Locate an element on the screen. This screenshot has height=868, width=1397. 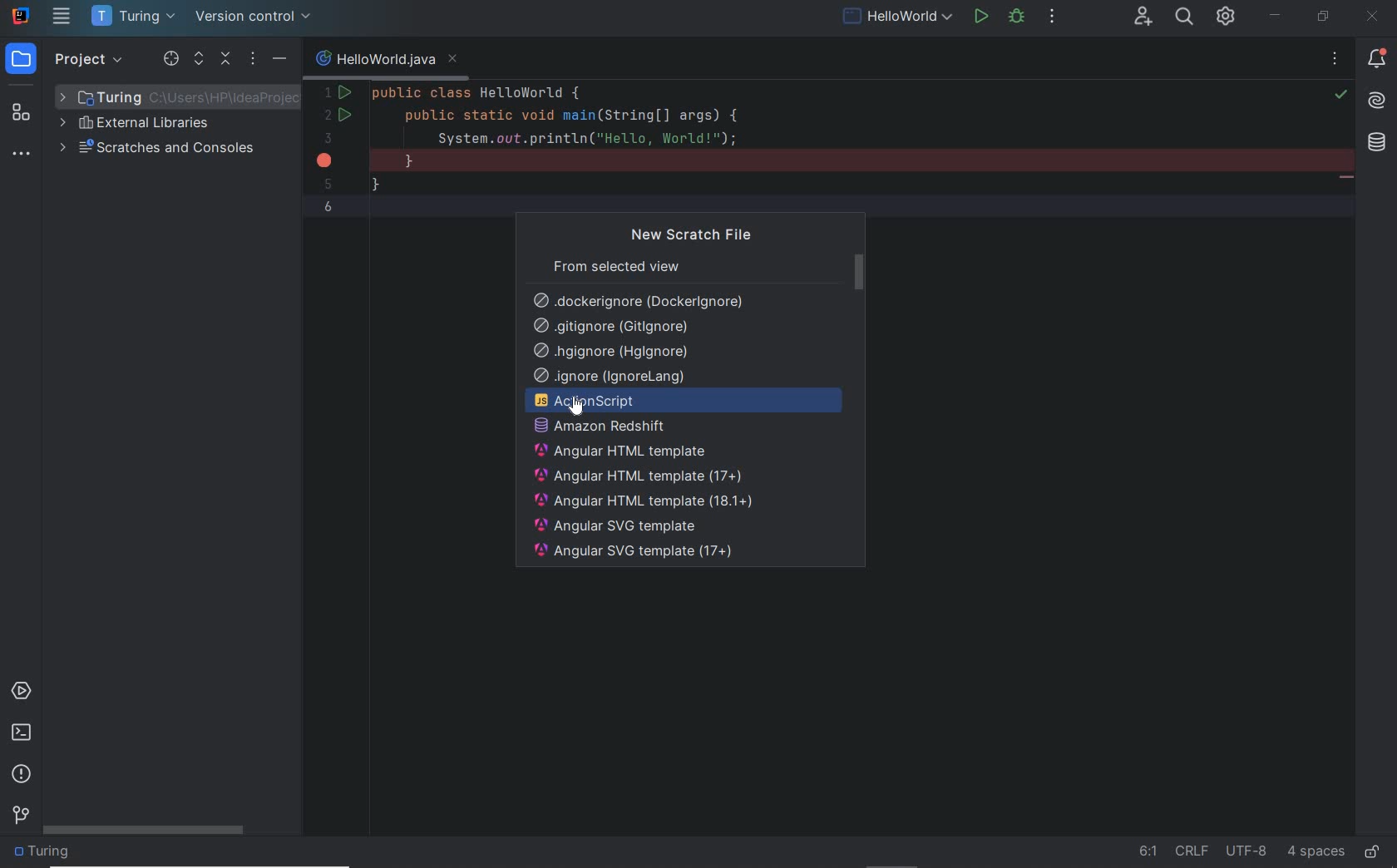
new scratch file is located at coordinates (694, 235).